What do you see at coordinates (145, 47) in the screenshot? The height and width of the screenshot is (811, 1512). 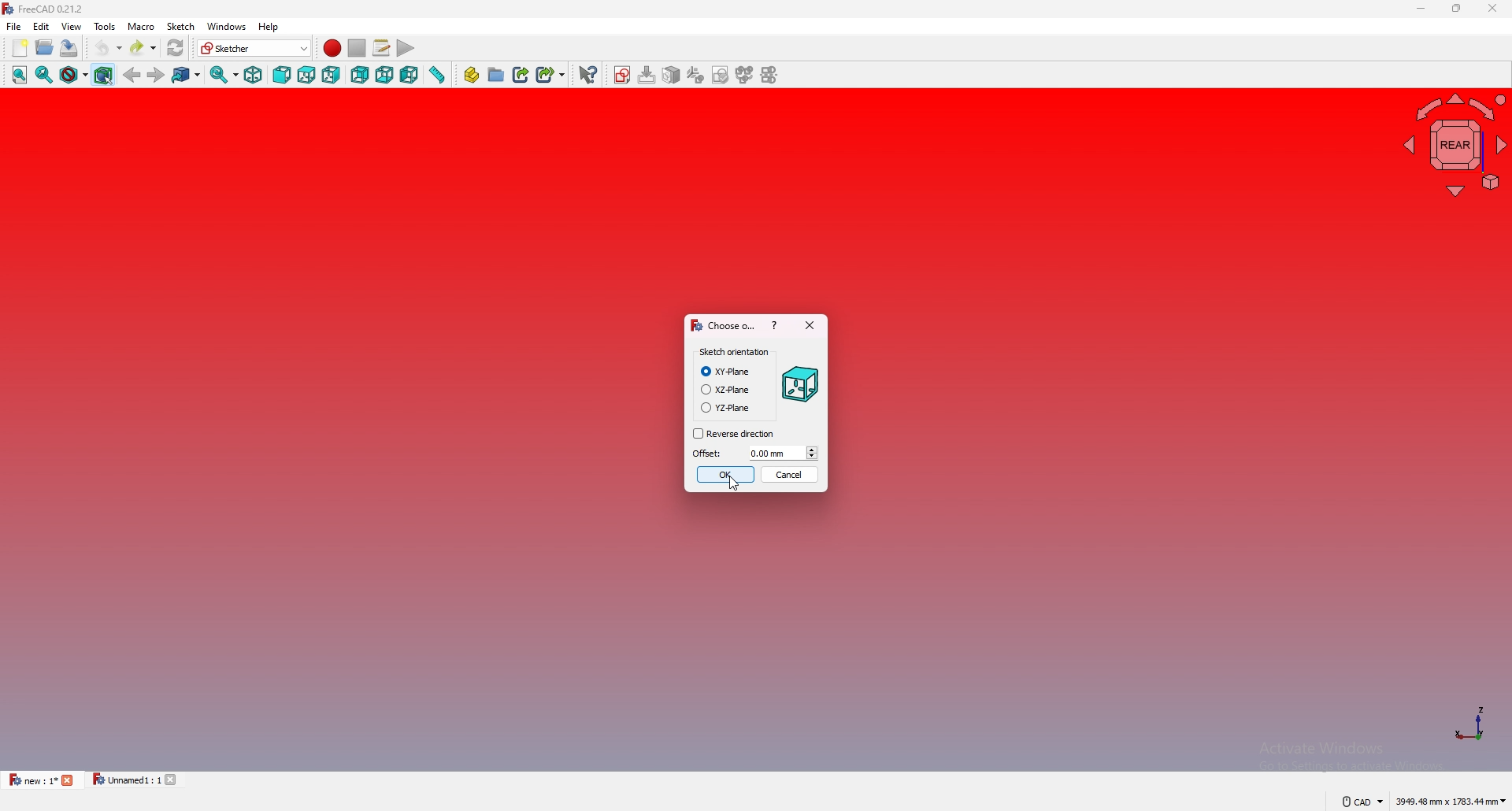 I see `redo` at bounding box center [145, 47].